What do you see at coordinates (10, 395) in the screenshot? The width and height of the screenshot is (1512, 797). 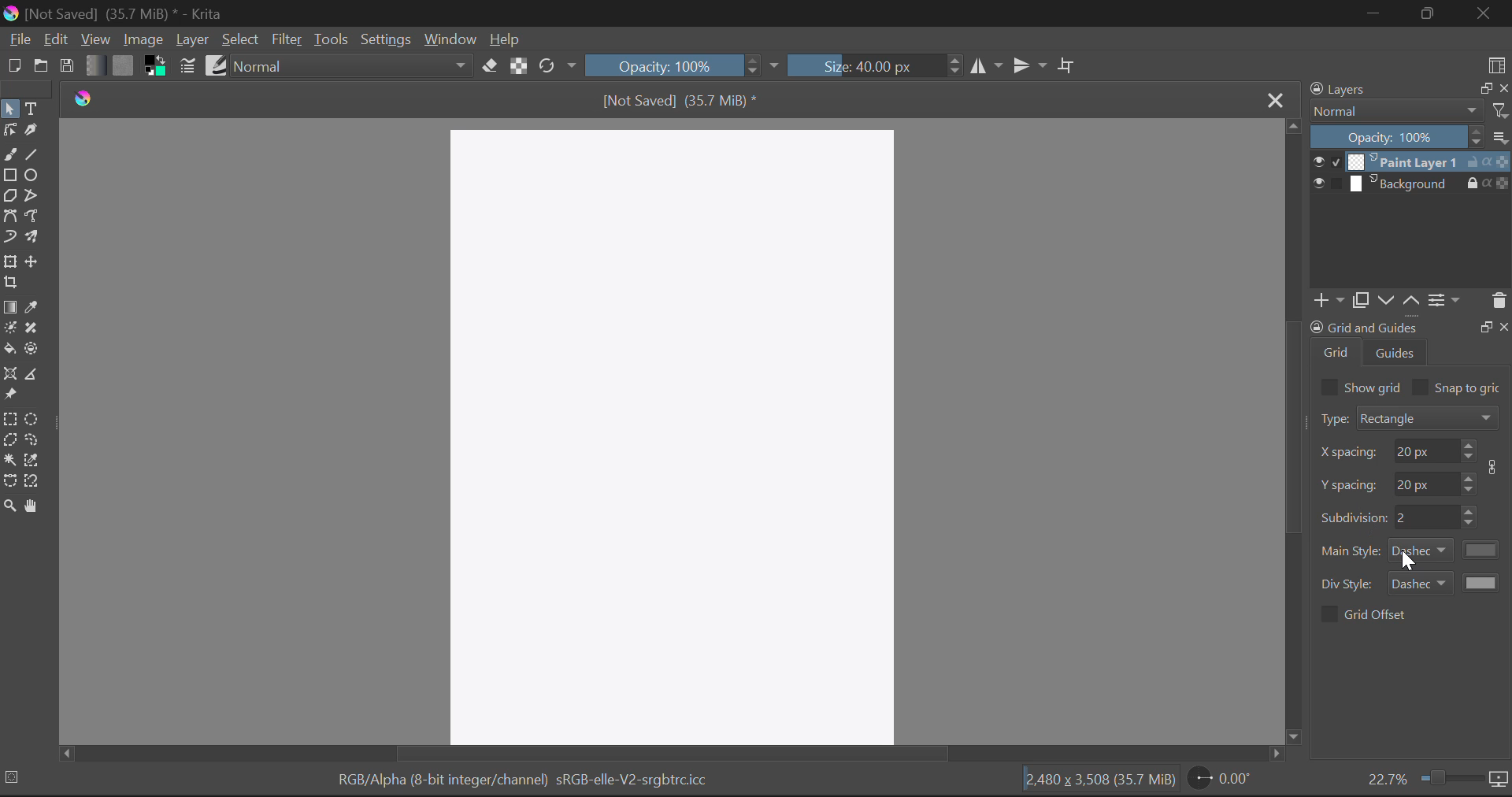 I see `Reference Image` at bounding box center [10, 395].